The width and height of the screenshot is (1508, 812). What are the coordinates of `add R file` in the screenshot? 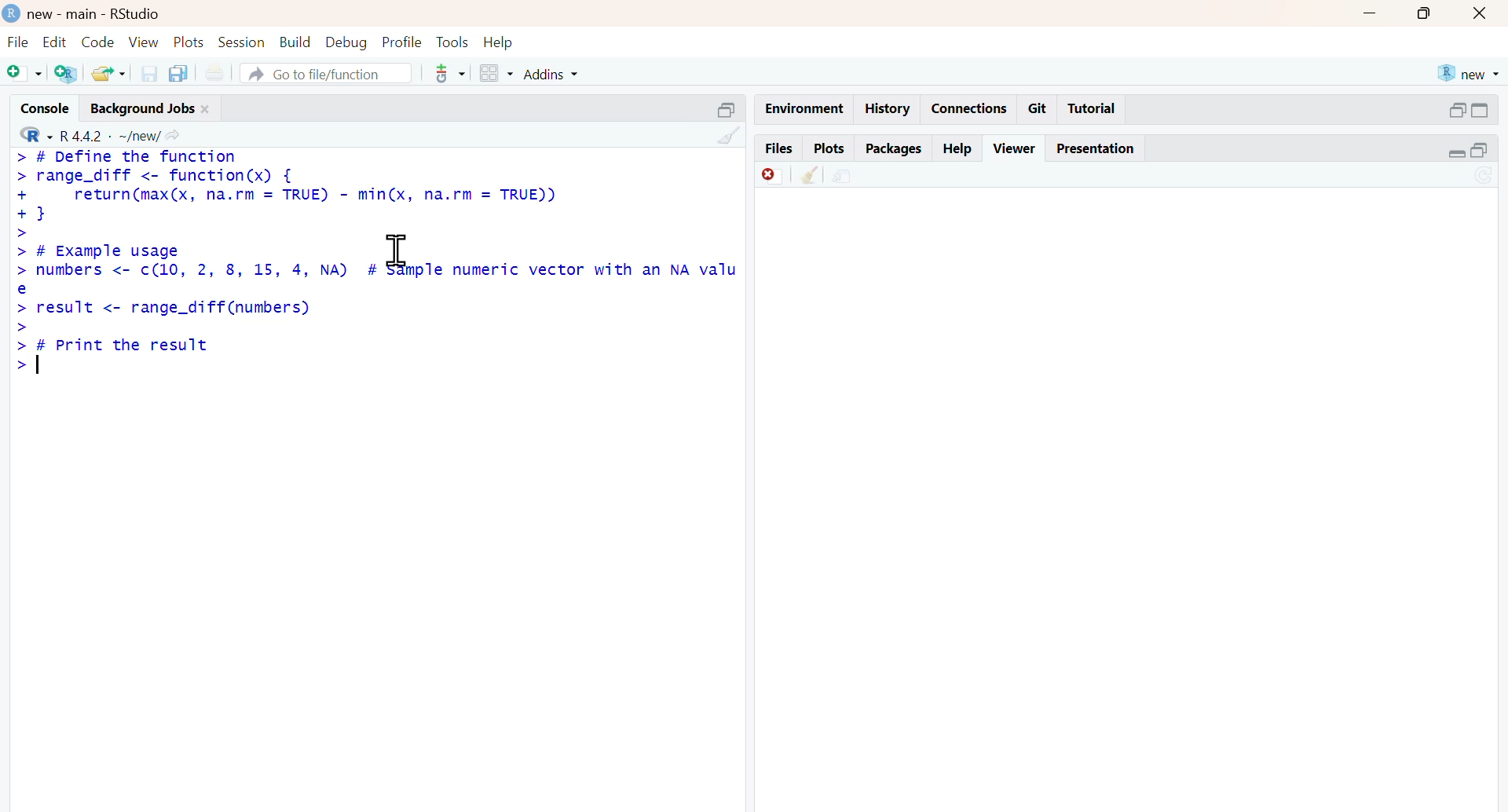 It's located at (68, 75).